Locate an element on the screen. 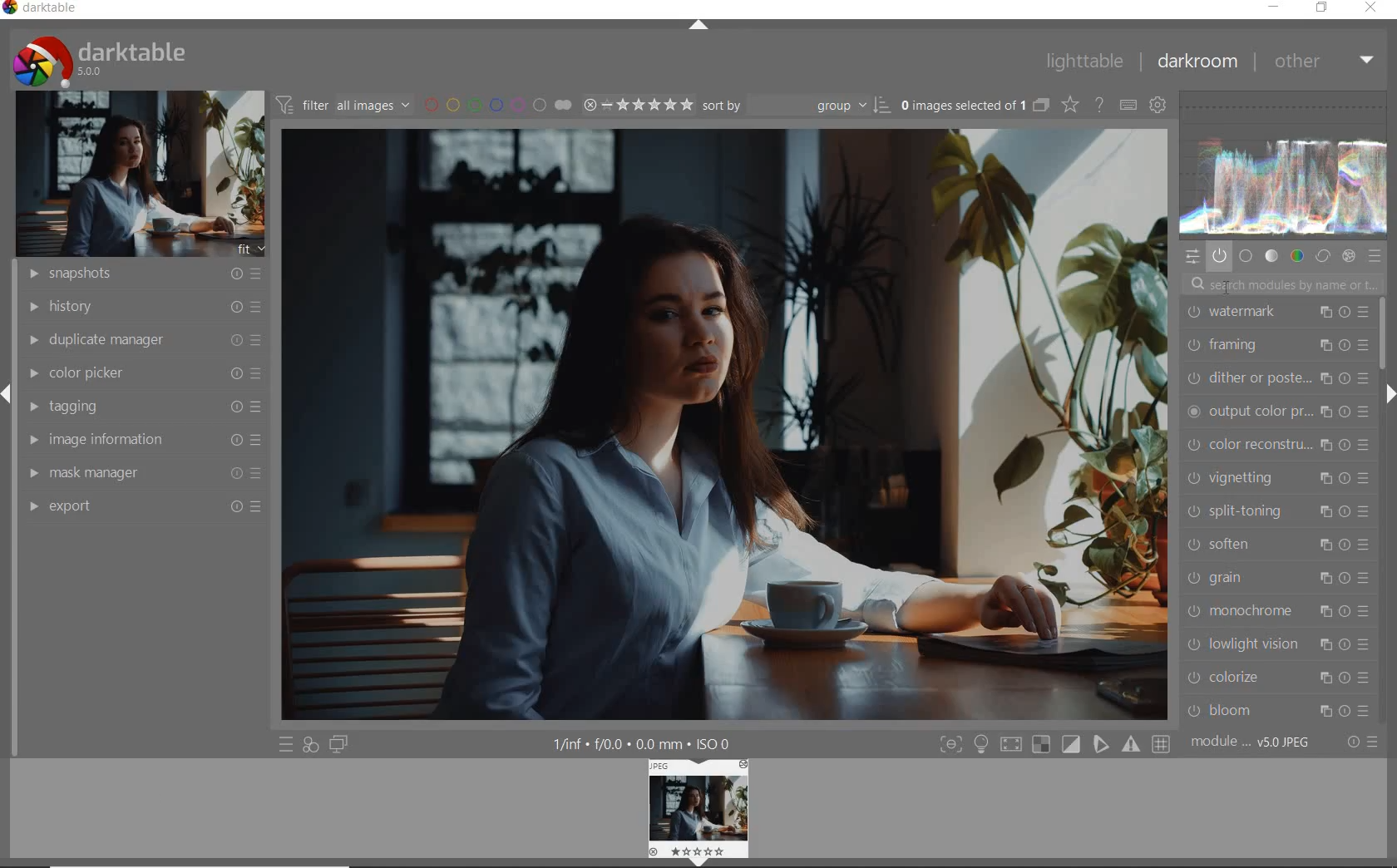  darktable is located at coordinates (47, 9).